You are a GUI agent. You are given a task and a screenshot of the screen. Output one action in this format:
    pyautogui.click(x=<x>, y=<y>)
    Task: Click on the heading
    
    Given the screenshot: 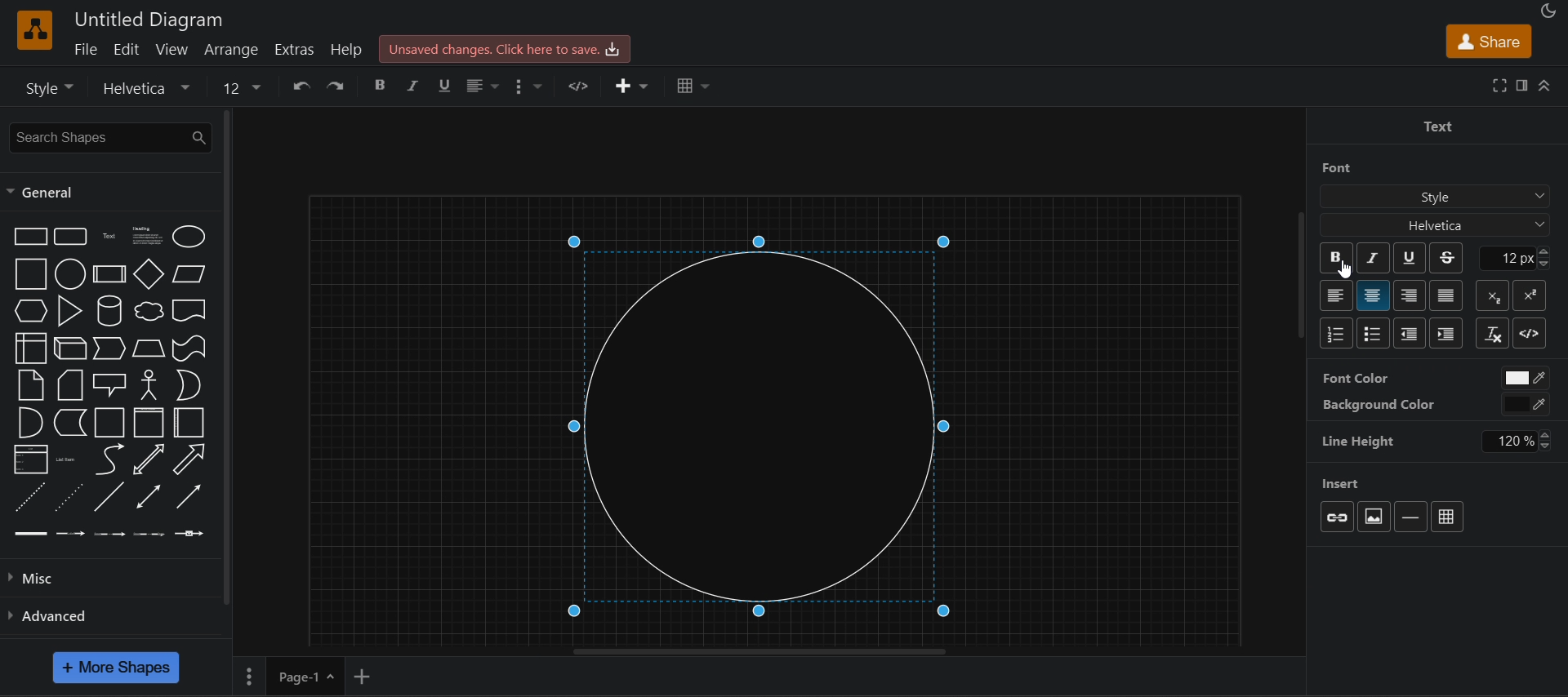 What is the action you would take?
    pyautogui.click(x=146, y=238)
    